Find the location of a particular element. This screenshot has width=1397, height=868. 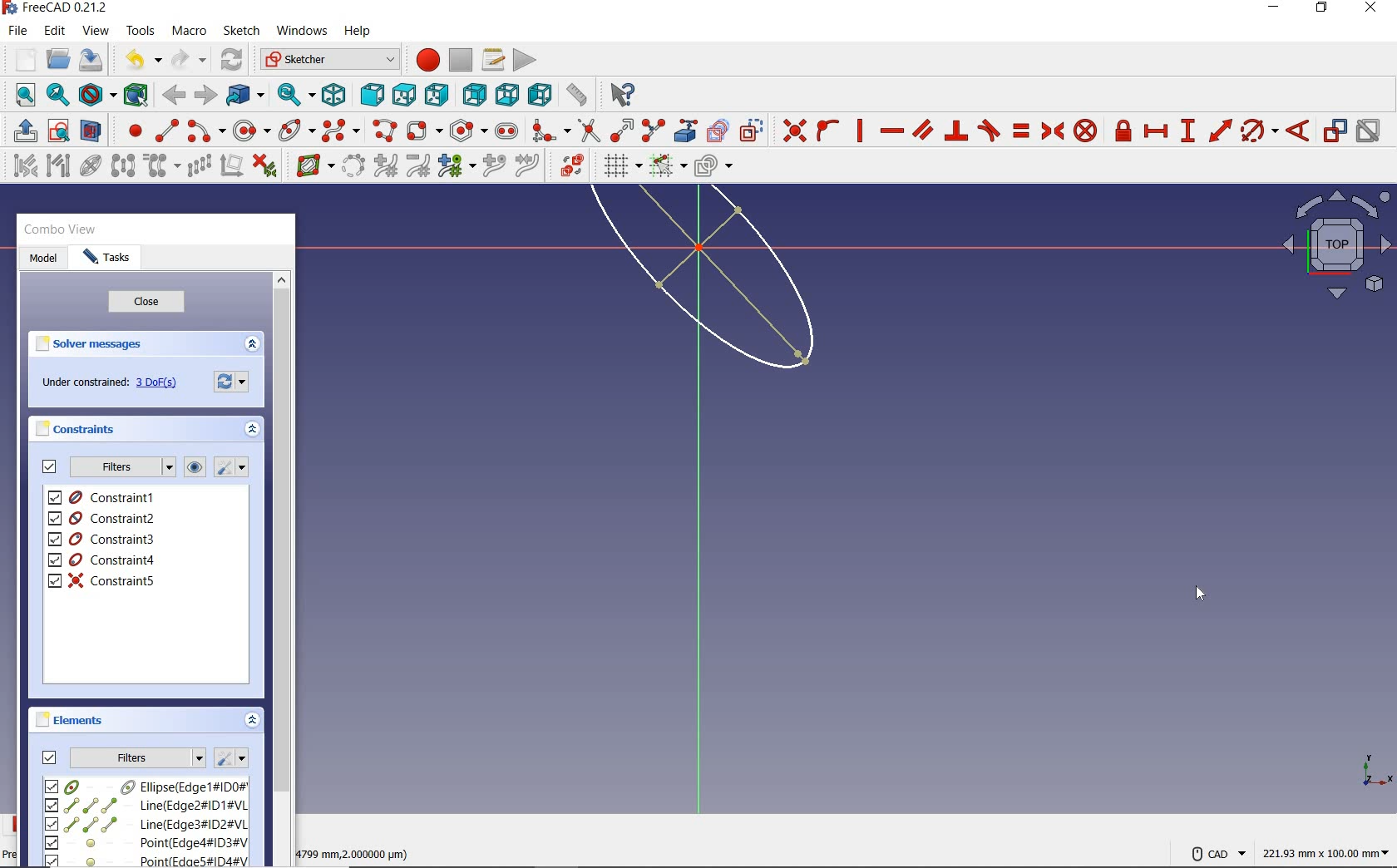

fit all is located at coordinates (21, 96).